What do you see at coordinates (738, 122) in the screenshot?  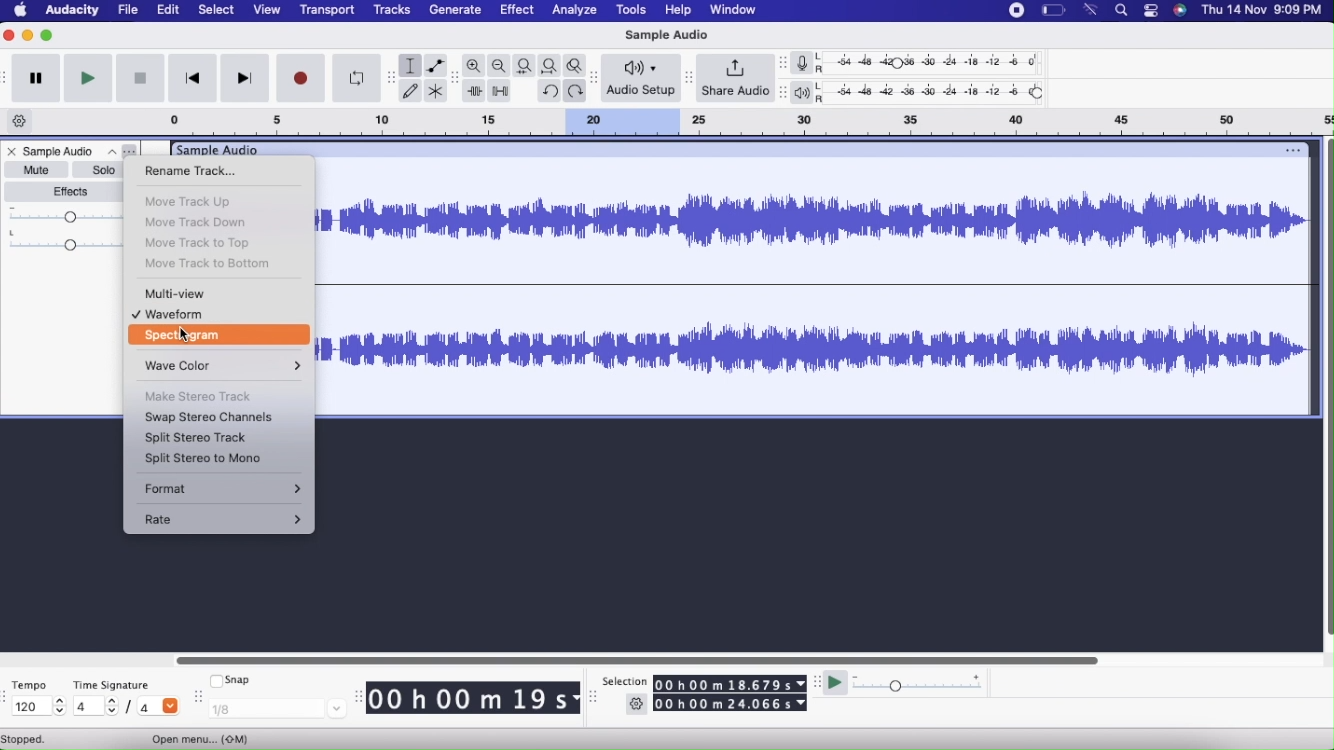 I see `Click and drag to define a looping region` at bounding box center [738, 122].